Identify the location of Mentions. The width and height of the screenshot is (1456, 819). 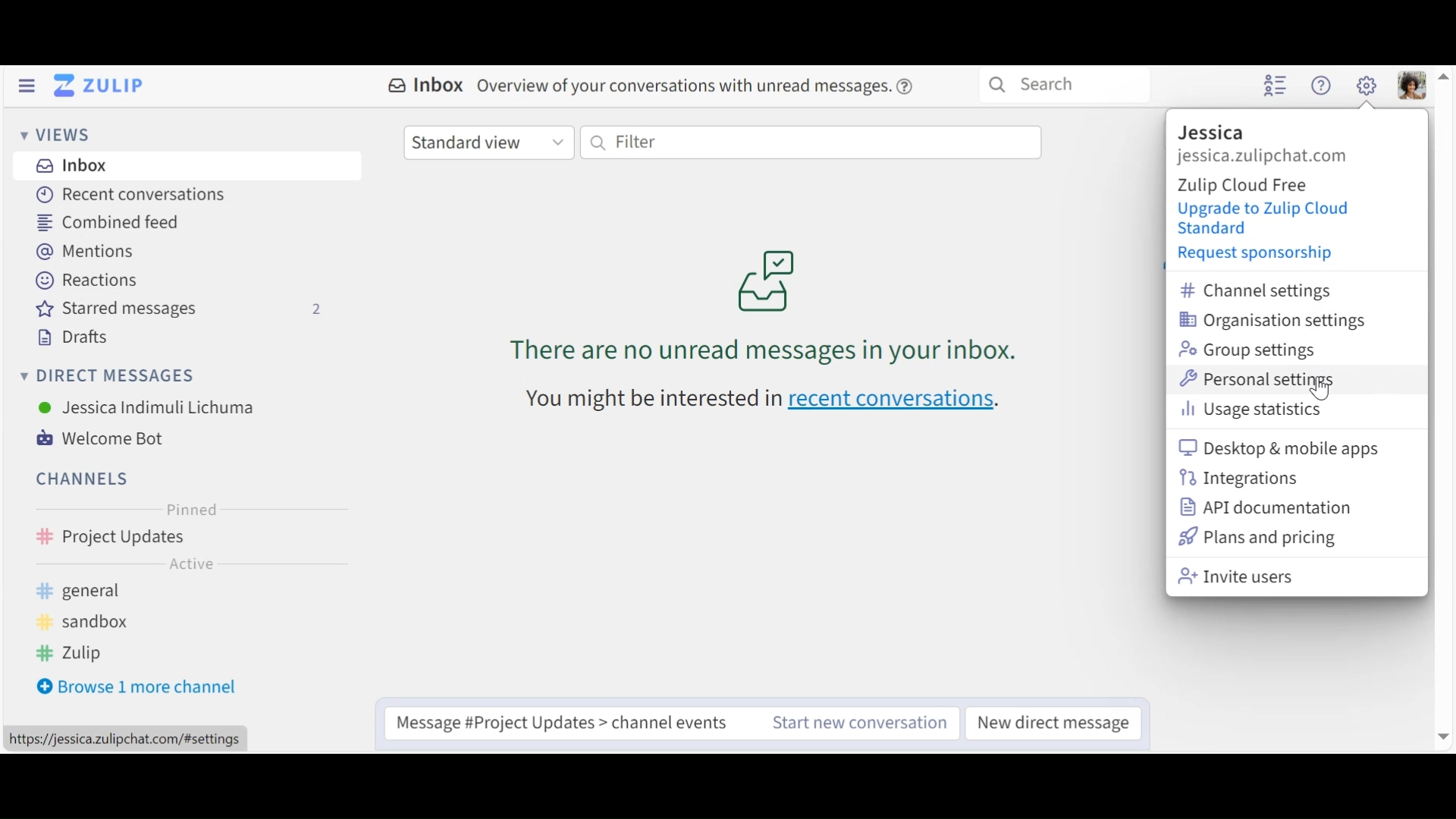
(83, 249).